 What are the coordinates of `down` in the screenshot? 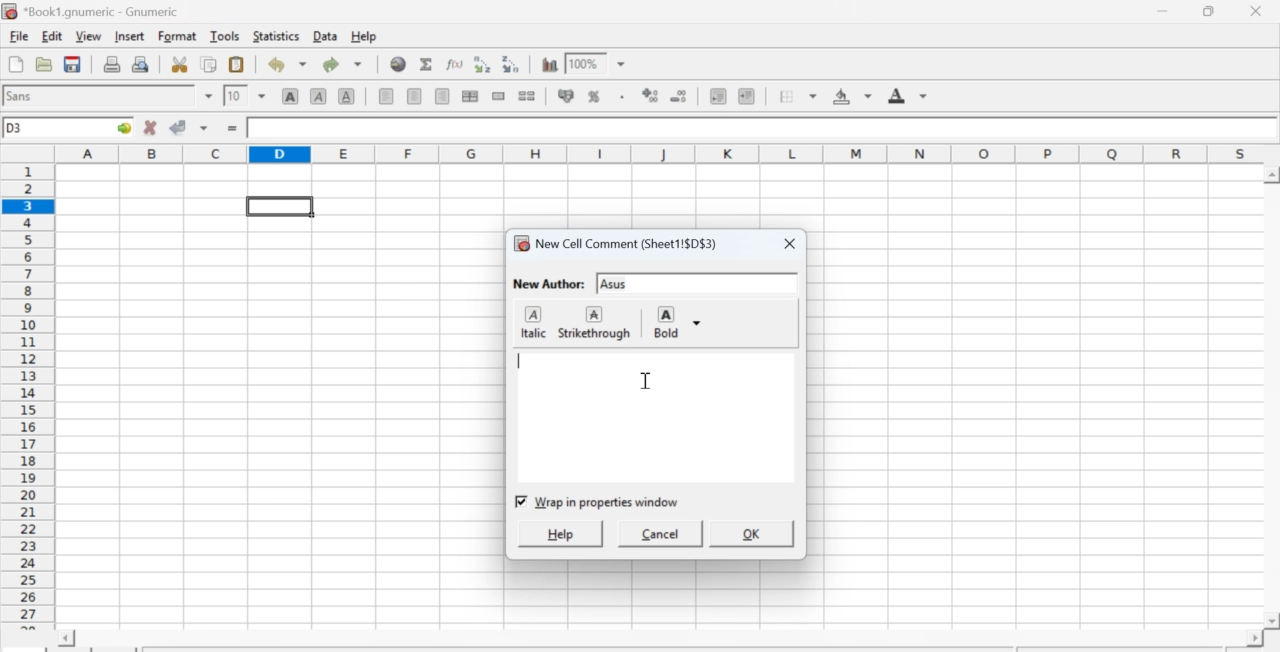 It's located at (207, 96).